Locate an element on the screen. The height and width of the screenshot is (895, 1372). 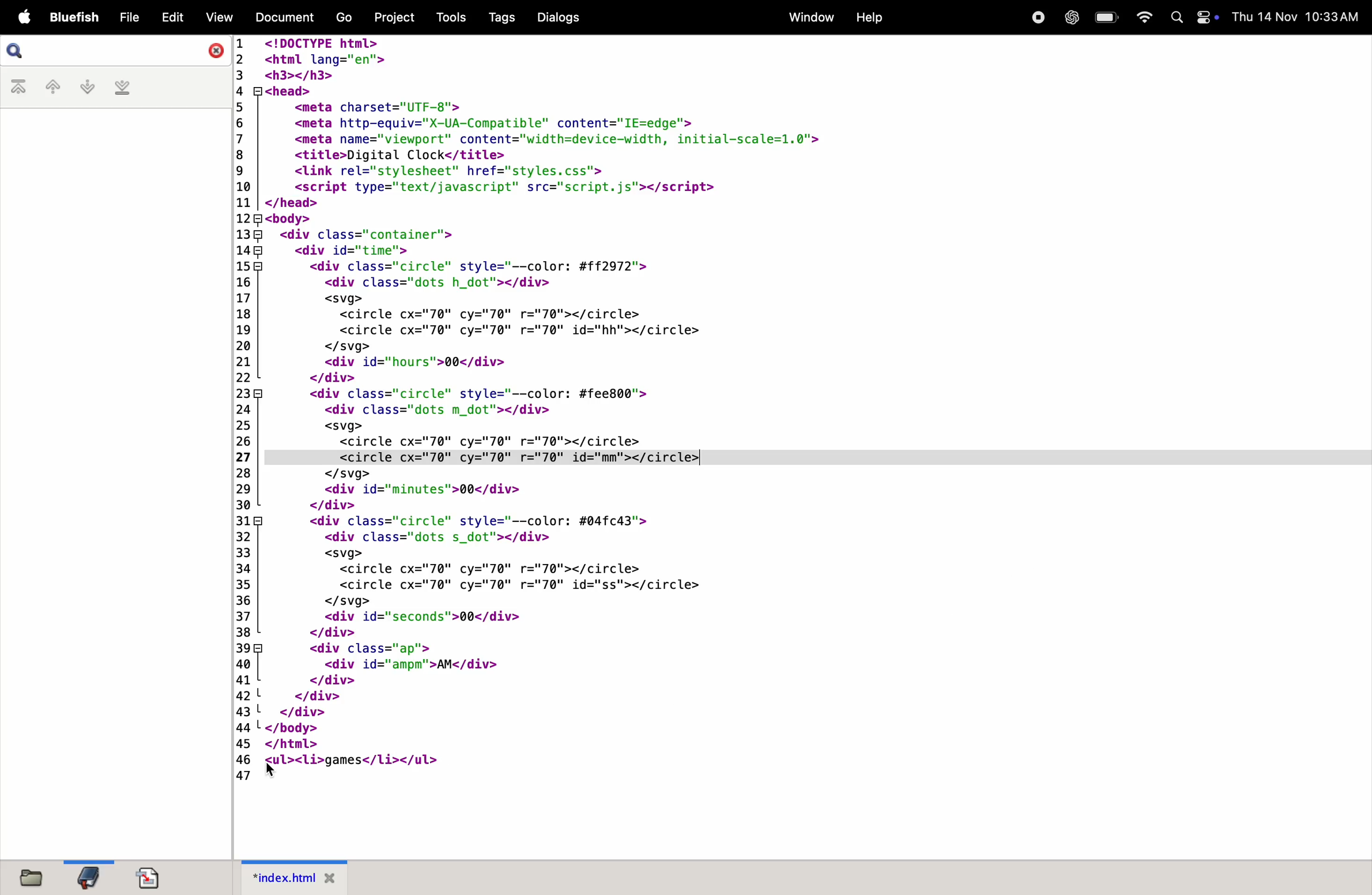
Date and time is located at coordinates (1295, 14).